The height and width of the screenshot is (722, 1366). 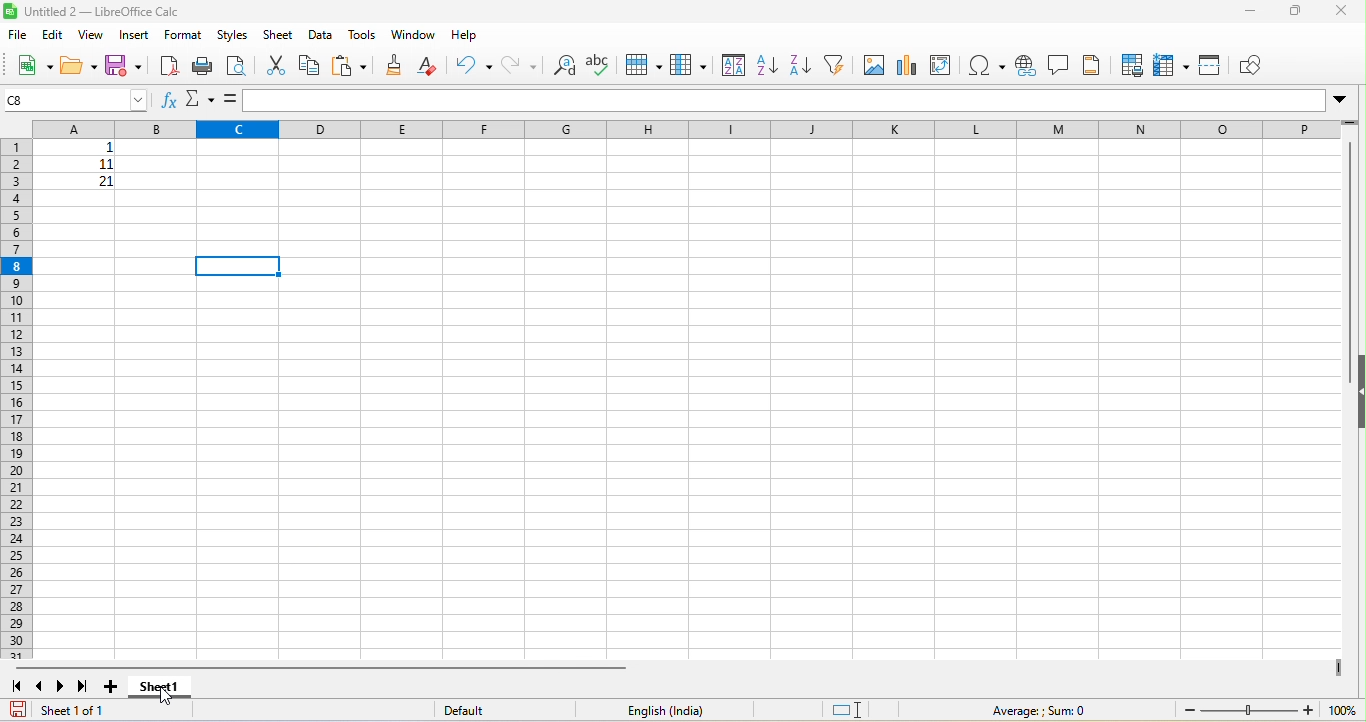 I want to click on vertical scroll bar, so click(x=1352, y=247).